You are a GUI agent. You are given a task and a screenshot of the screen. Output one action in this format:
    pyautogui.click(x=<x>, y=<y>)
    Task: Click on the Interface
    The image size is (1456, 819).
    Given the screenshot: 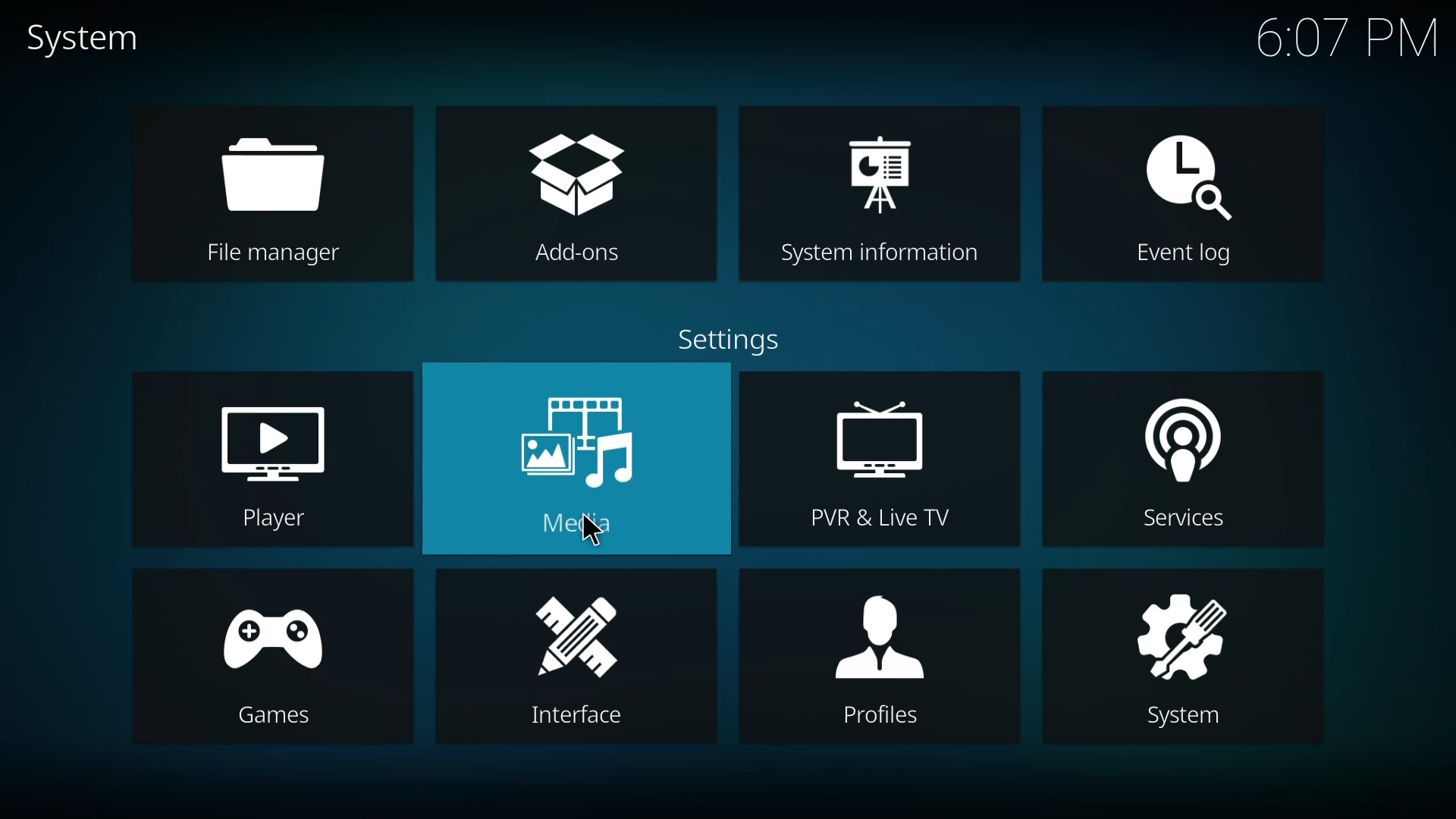 What is the action you would take?
    pyautogui.click(x=577, y=717)
    